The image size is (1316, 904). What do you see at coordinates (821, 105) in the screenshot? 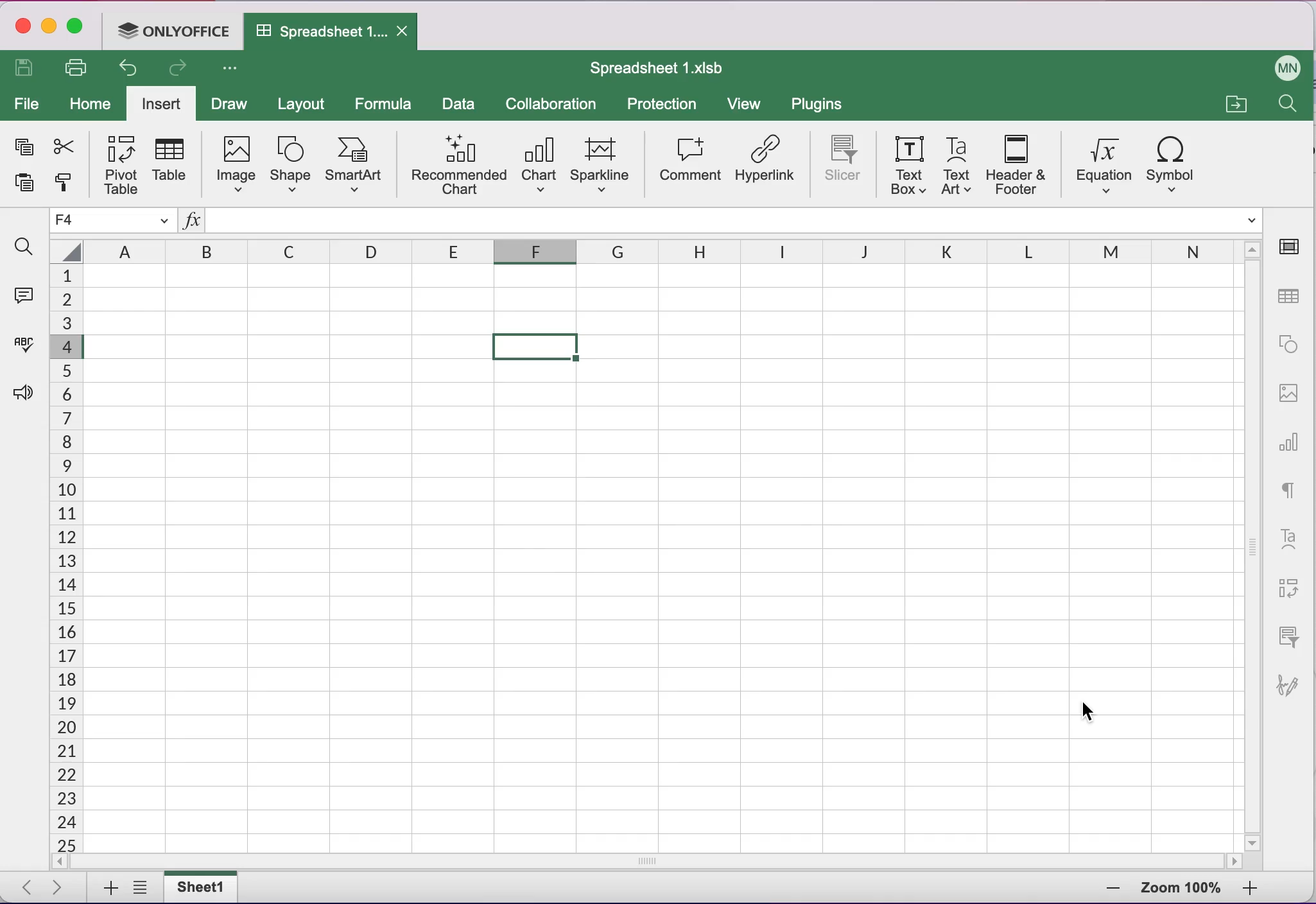
I see `plugins` at bounding box center [821, 105].